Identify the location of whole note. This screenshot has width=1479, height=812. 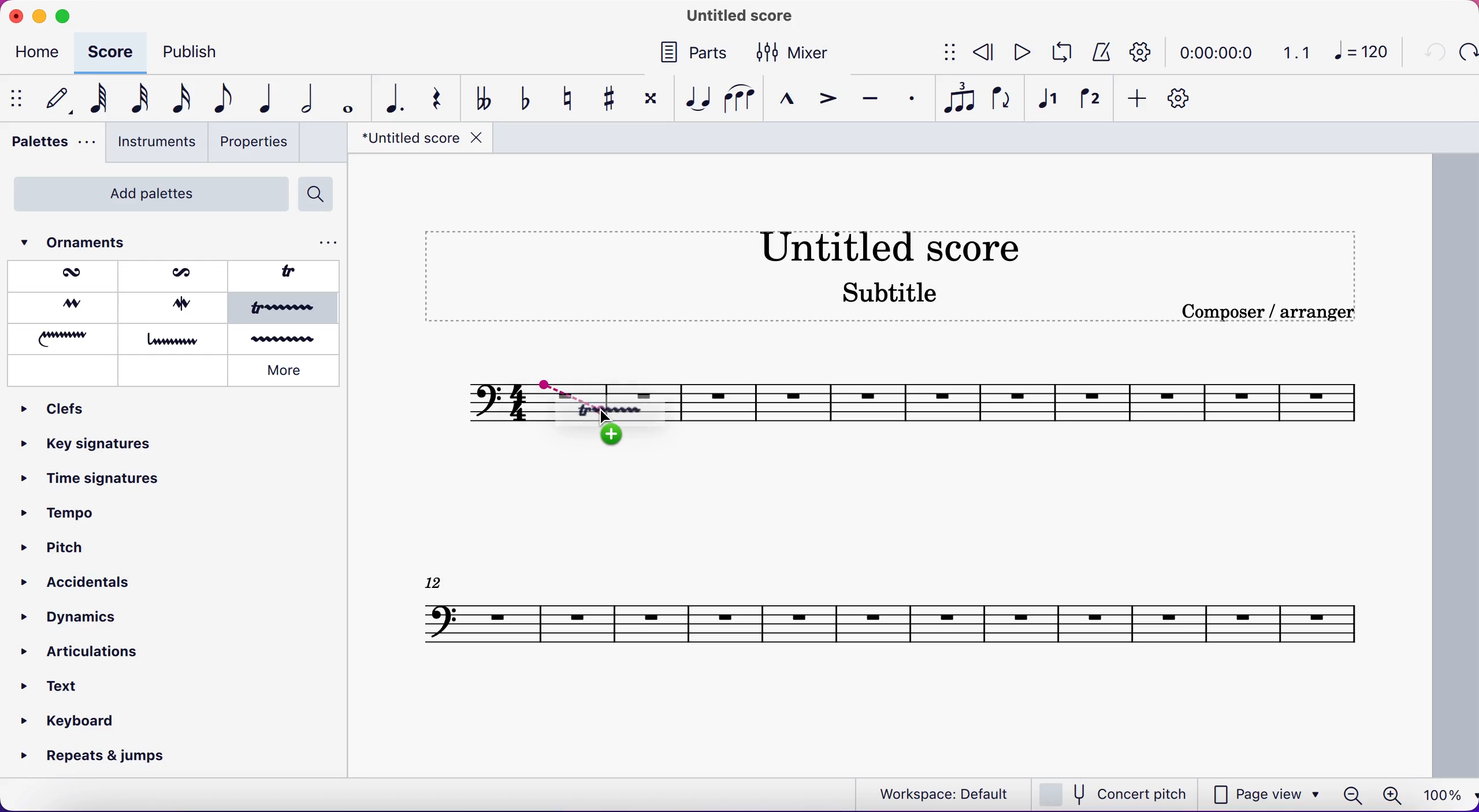
(345, 99).